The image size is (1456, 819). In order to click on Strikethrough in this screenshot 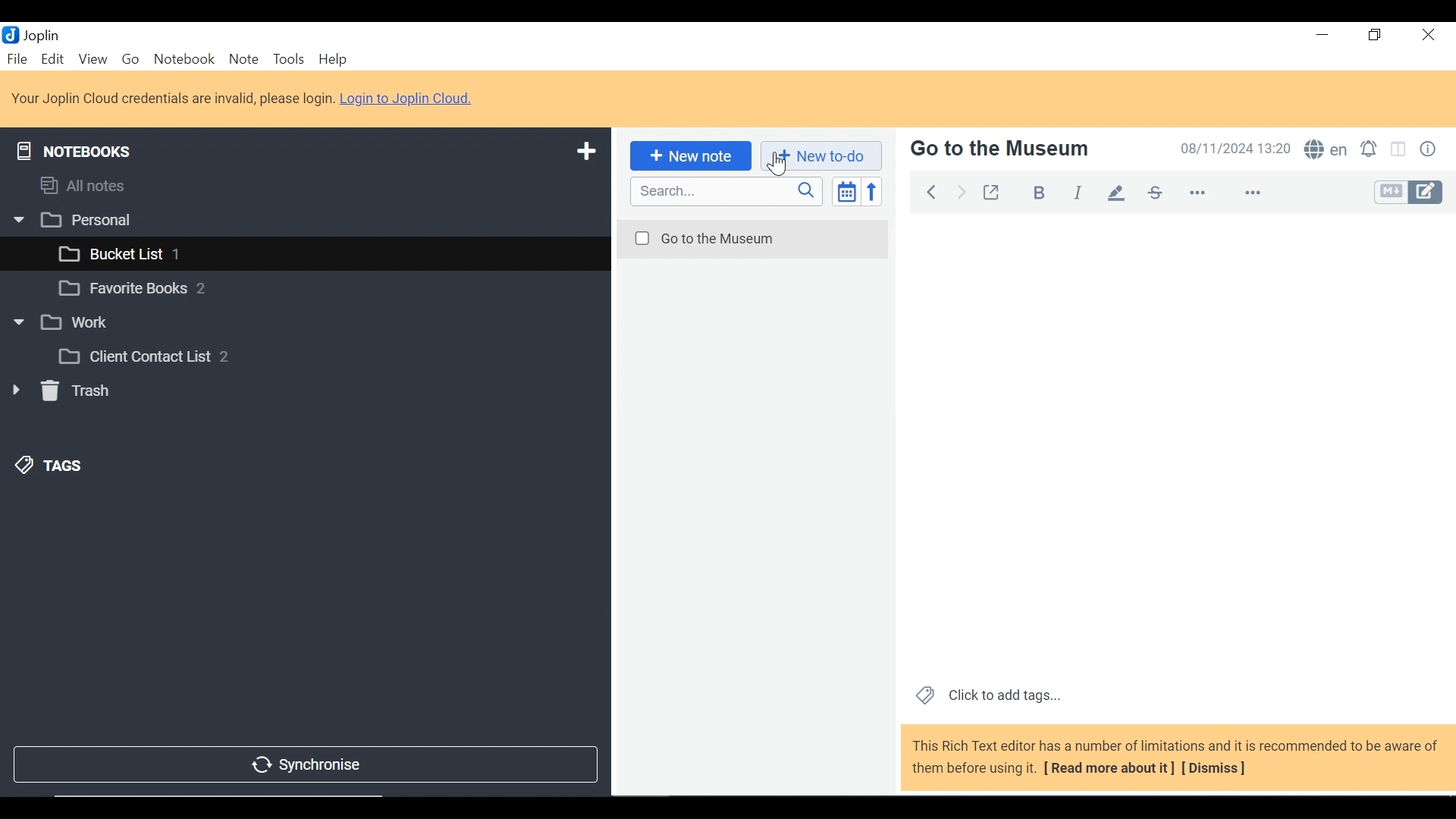, I will do `click(1154, 192)`.